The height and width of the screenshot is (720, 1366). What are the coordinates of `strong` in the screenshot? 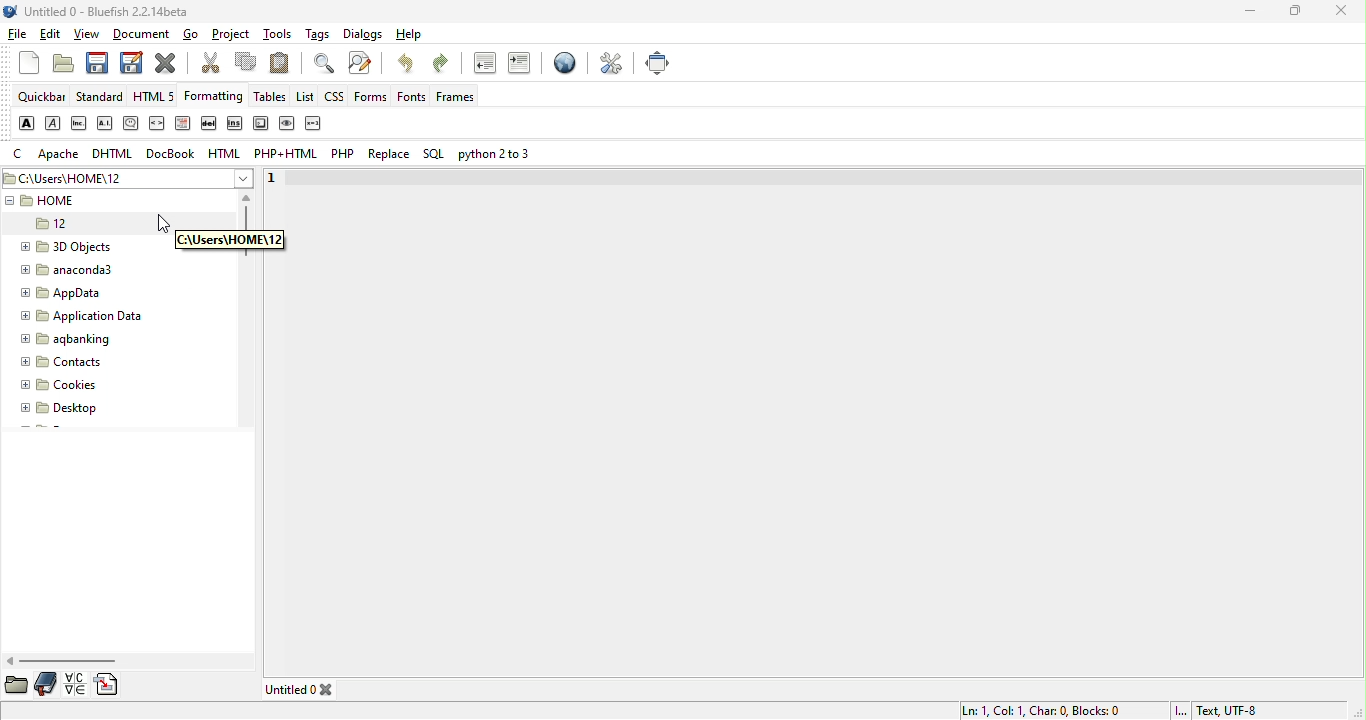 It's located at (25, 123).